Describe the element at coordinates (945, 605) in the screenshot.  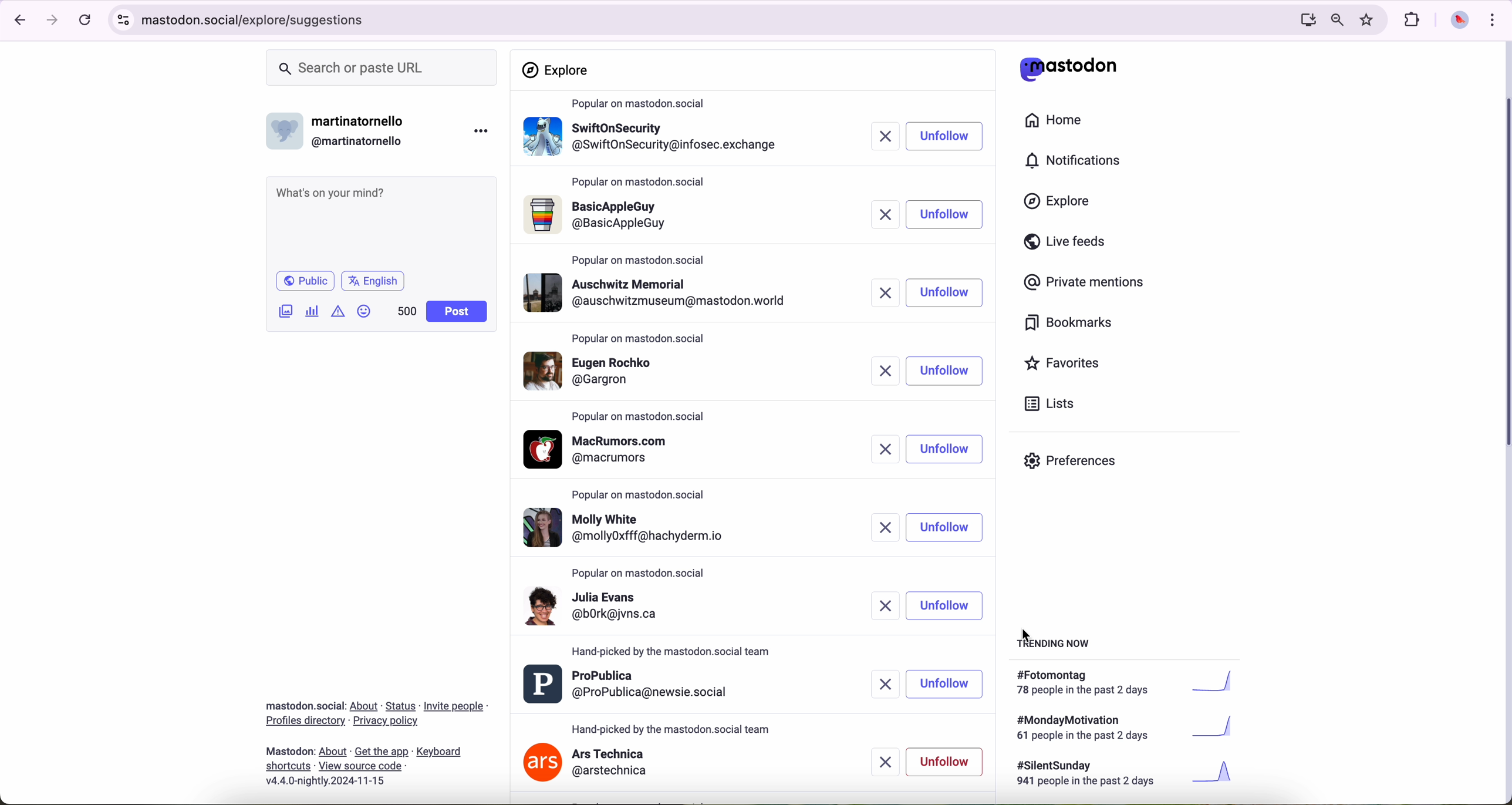
I see `unfollow` at that location.